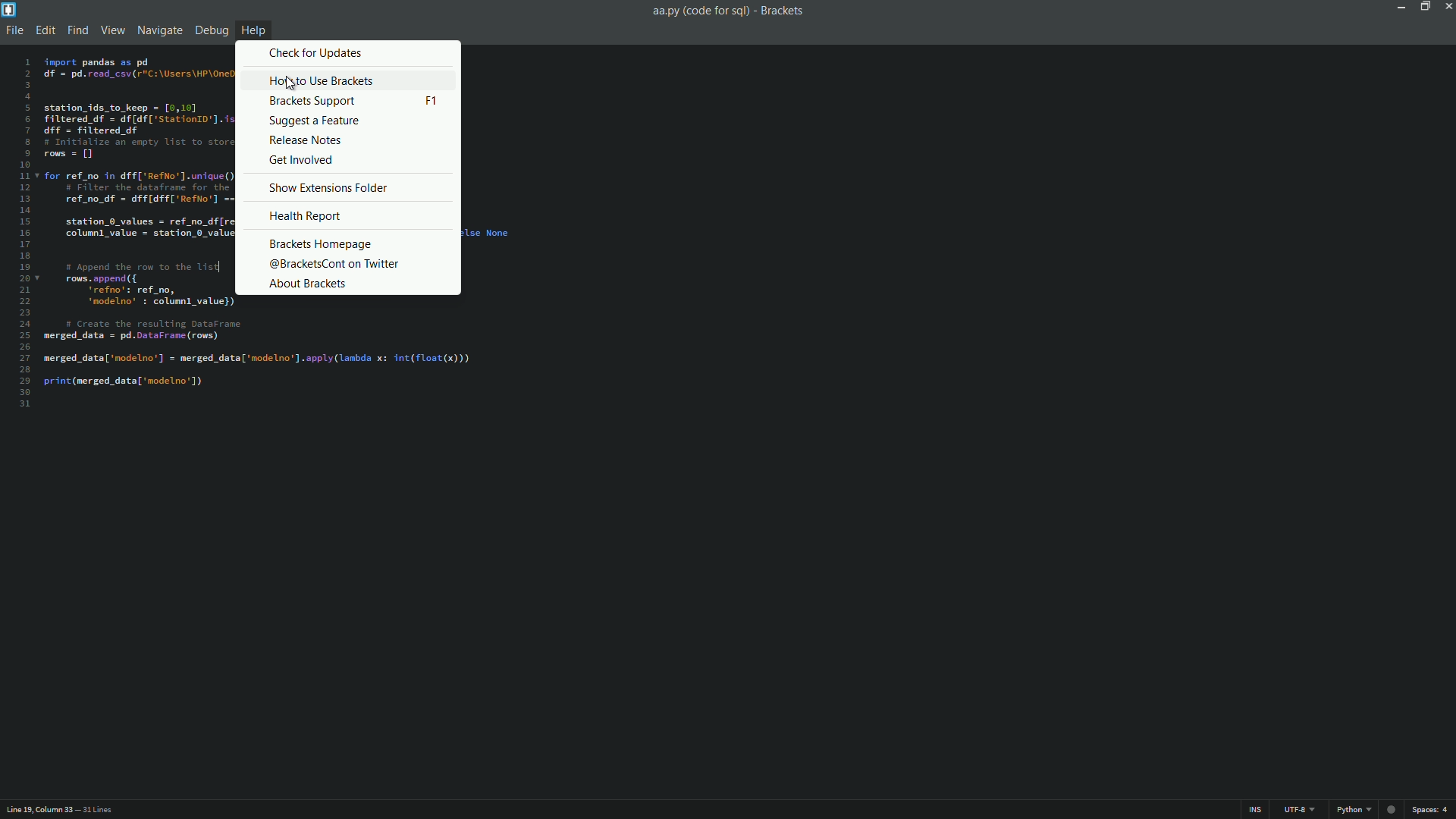  Describe the element at coordinates (316, 54) in the screenshot. I see `check for updates` at that location.